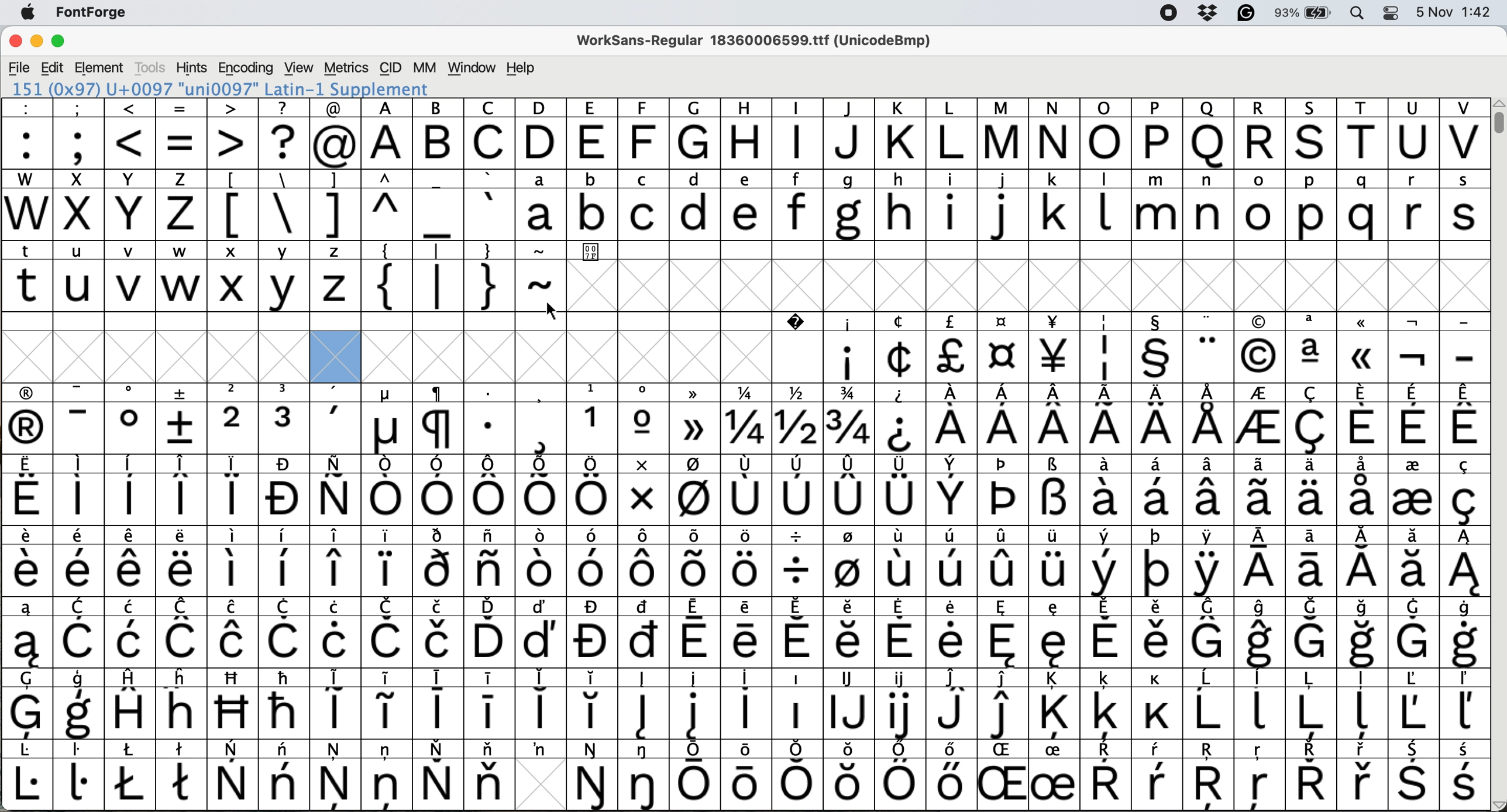 Image resolution: width=1507 pixels, height=812 pixels. I want to click on symbol, so click(336, 419).